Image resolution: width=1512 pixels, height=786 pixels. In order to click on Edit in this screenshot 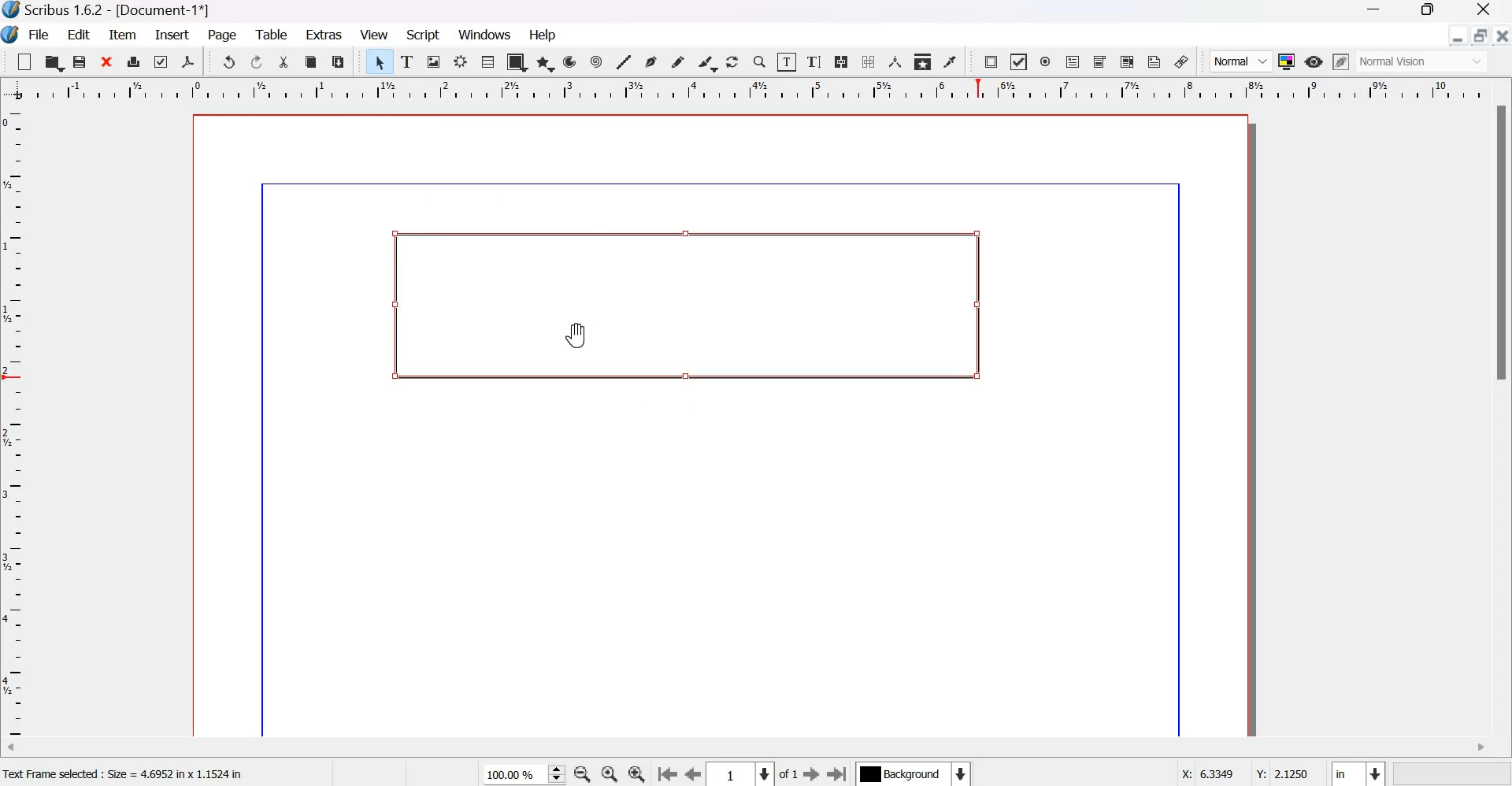, I will do `click(80, 34)`.